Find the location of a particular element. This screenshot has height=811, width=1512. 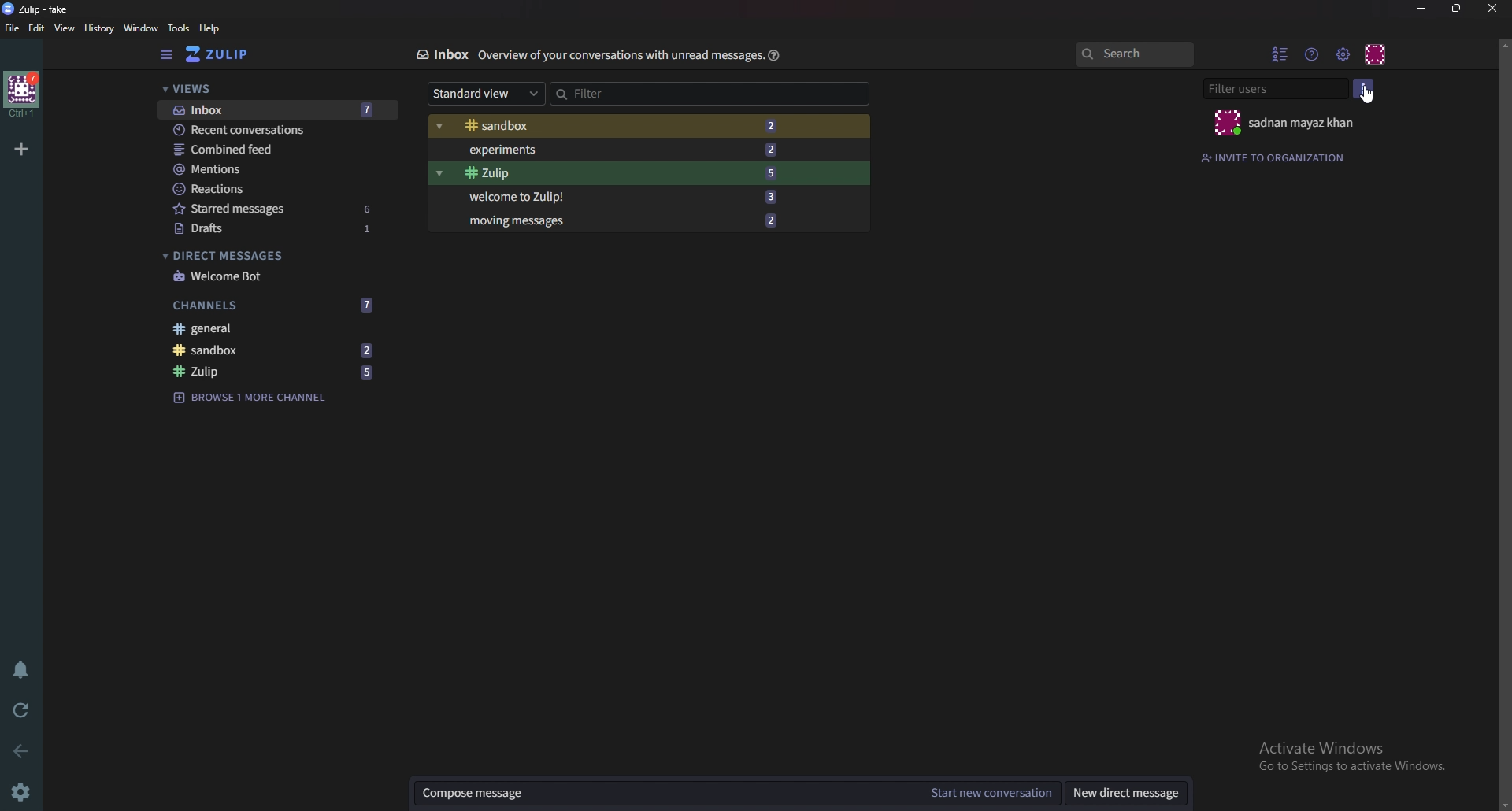

Reactions is located at coordinates (274, 189).